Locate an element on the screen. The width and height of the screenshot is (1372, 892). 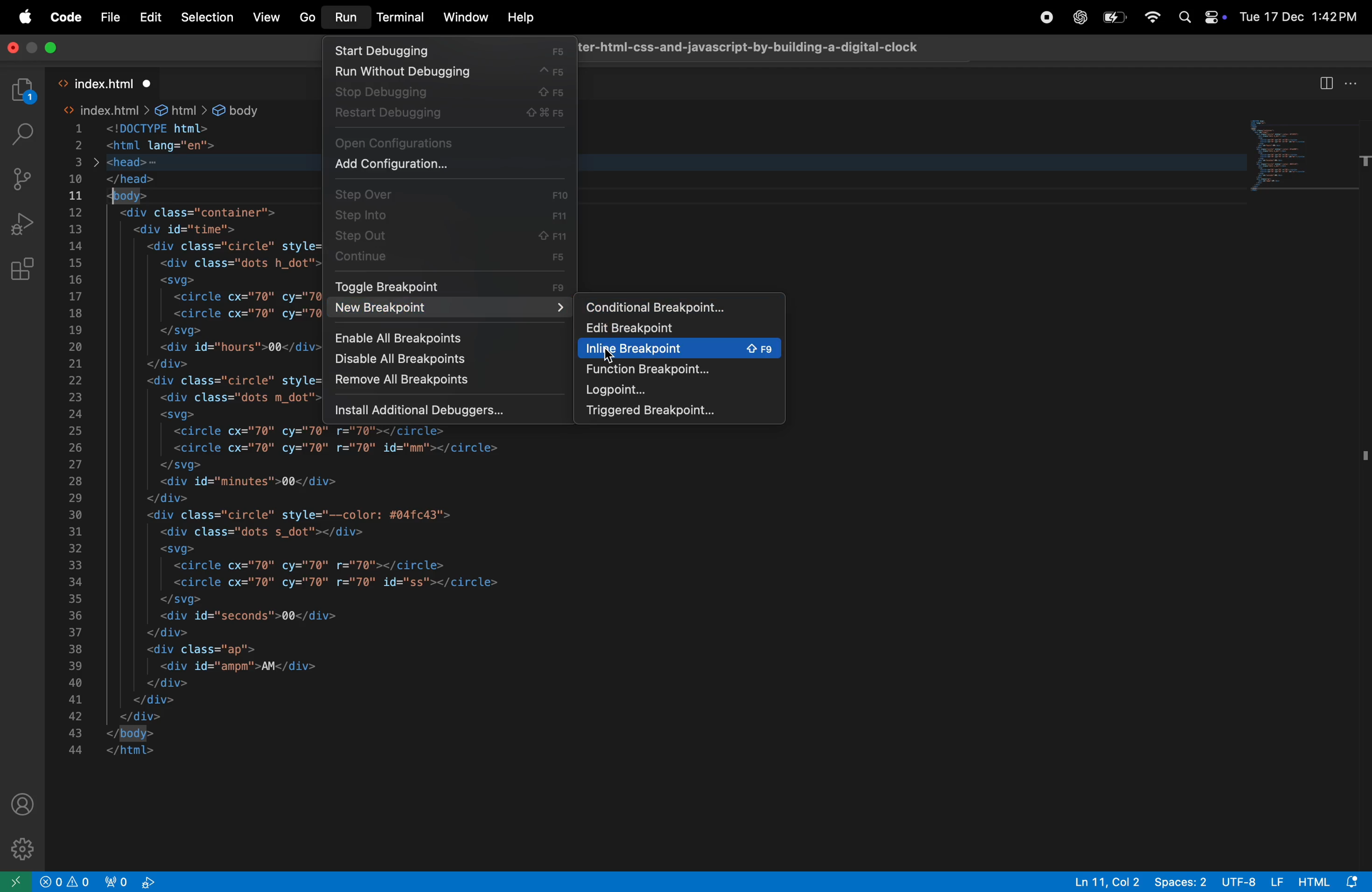
Edit break point is located at coordinates (677, 328).